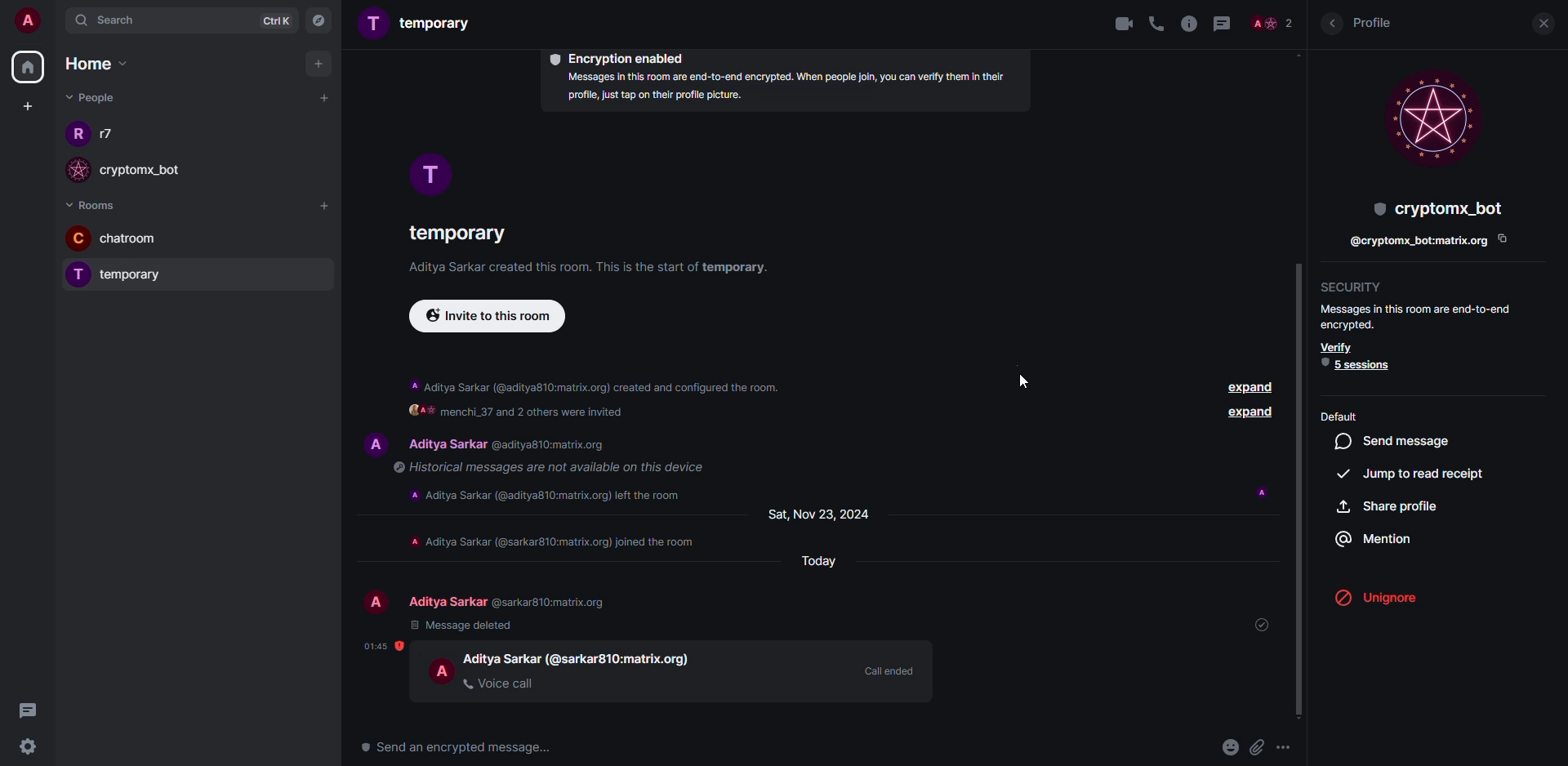 This screenshot has width=1568, height=766. I want to click on info, so click(1418, 315).